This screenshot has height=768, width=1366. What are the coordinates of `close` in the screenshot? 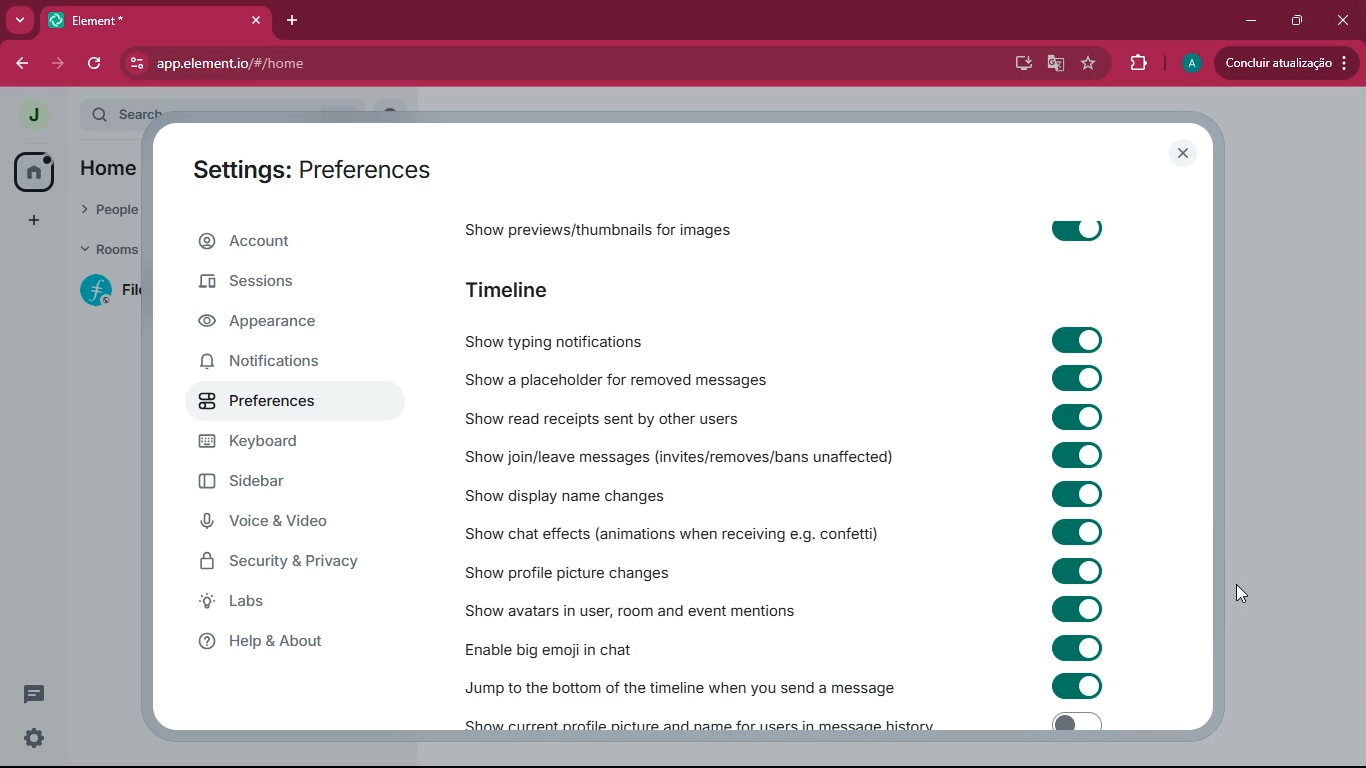 It's located at (1343, 20).